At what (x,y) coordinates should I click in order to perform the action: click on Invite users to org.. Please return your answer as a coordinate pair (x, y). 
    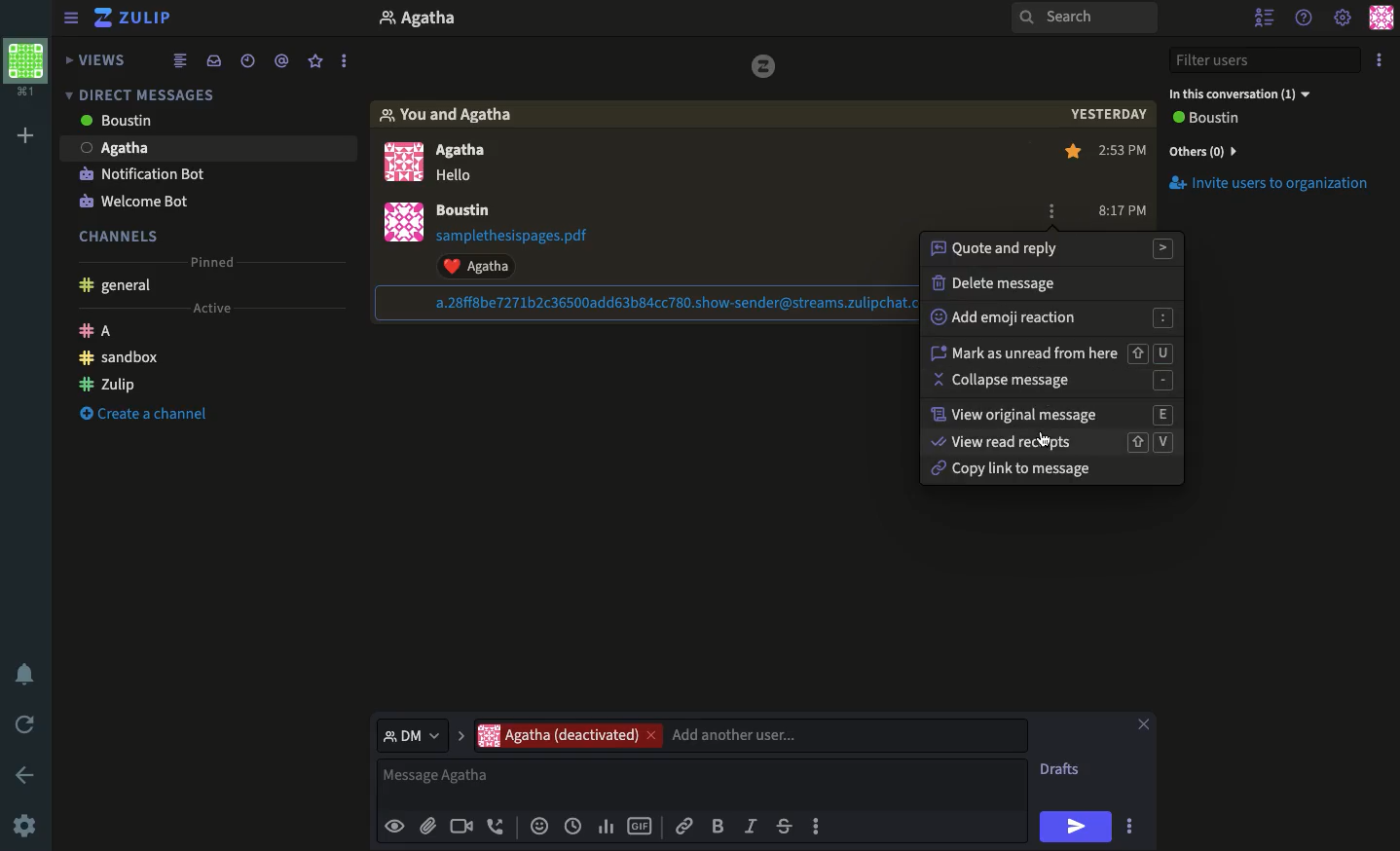
    Looking at the image, I should click on (1272, 148).